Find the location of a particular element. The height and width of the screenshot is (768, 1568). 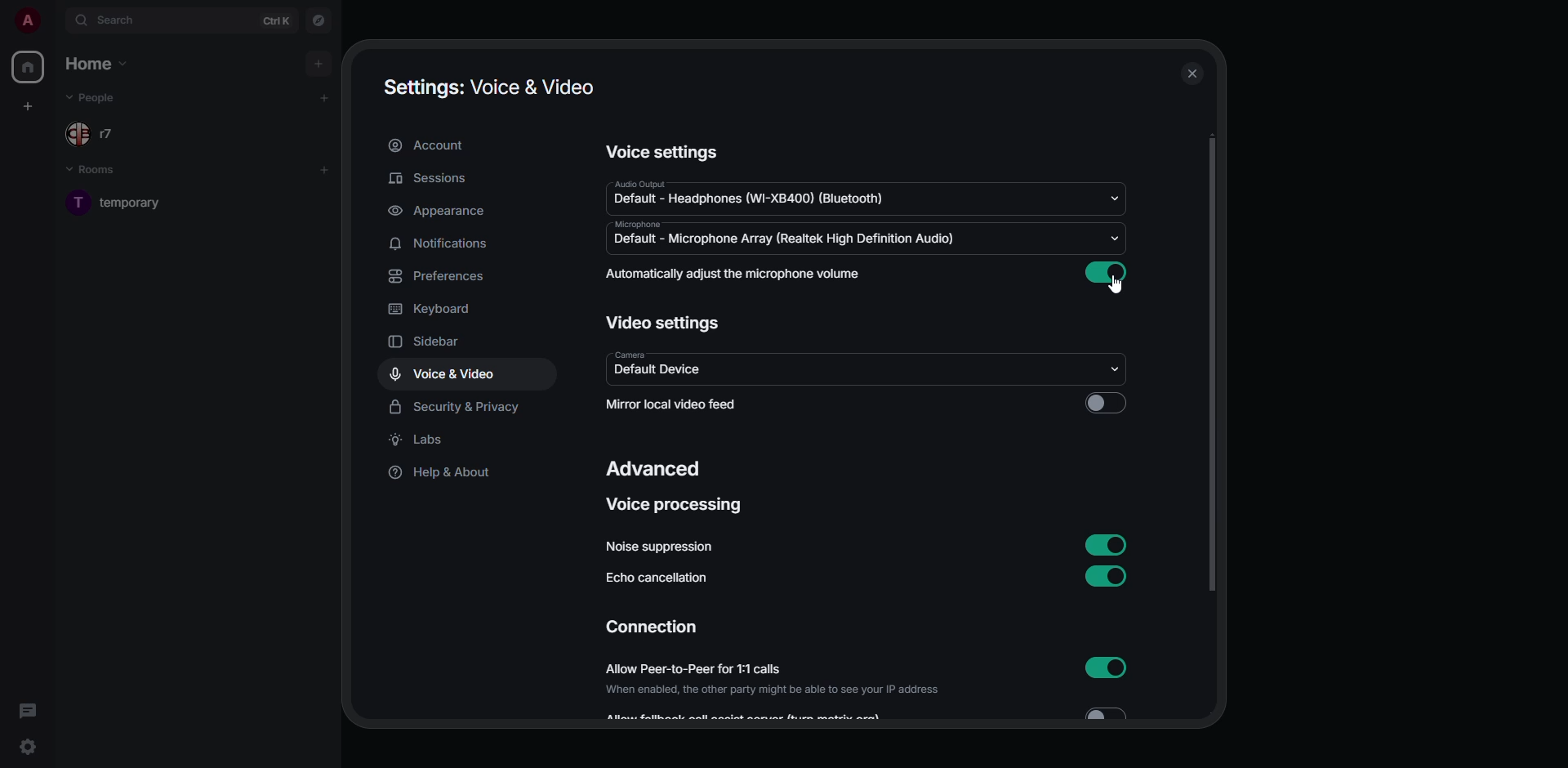

scroll bar is located at coordinates (1212, 368).